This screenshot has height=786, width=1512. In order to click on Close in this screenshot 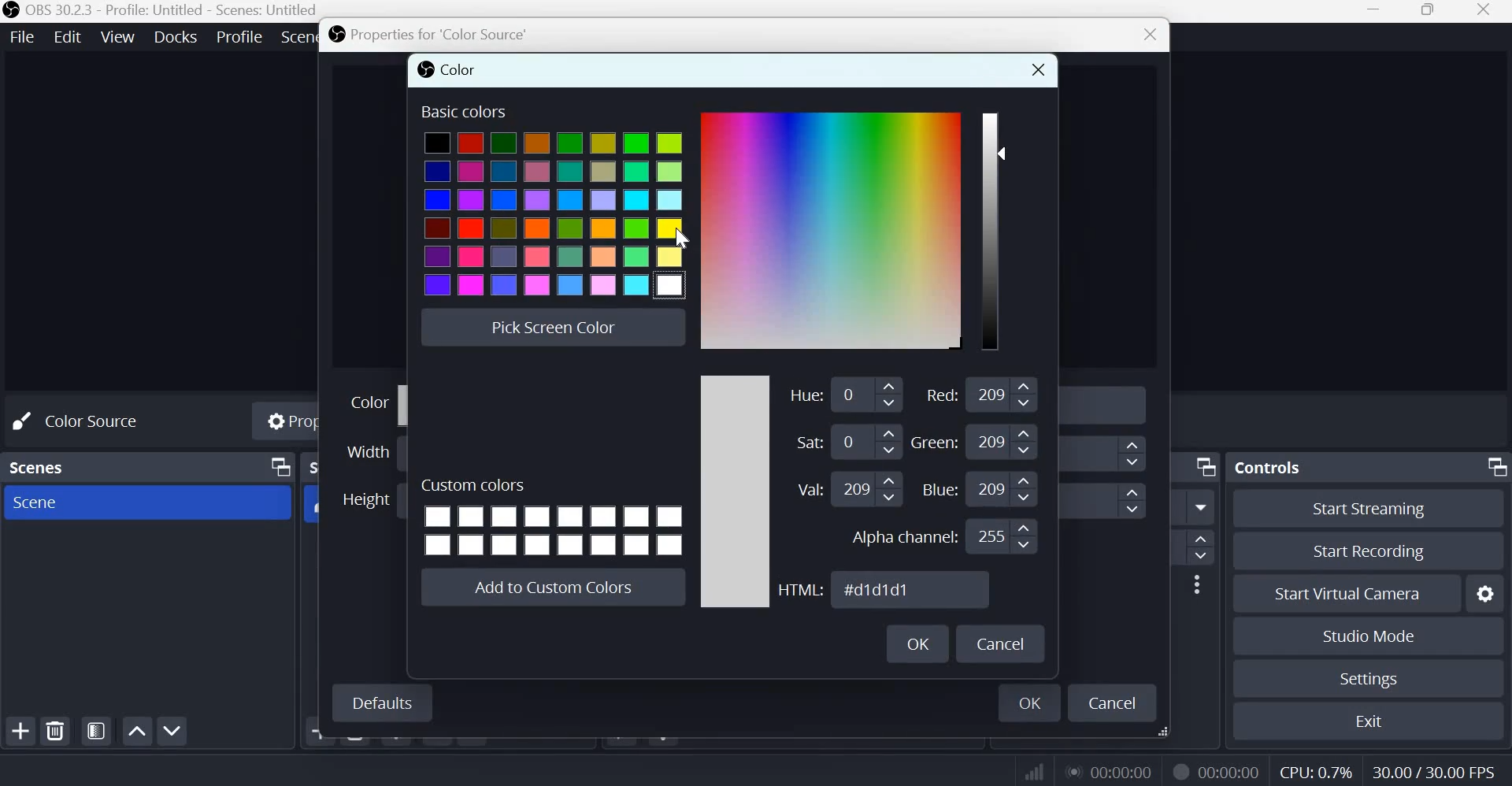, I will do `click(1485, 11)`.